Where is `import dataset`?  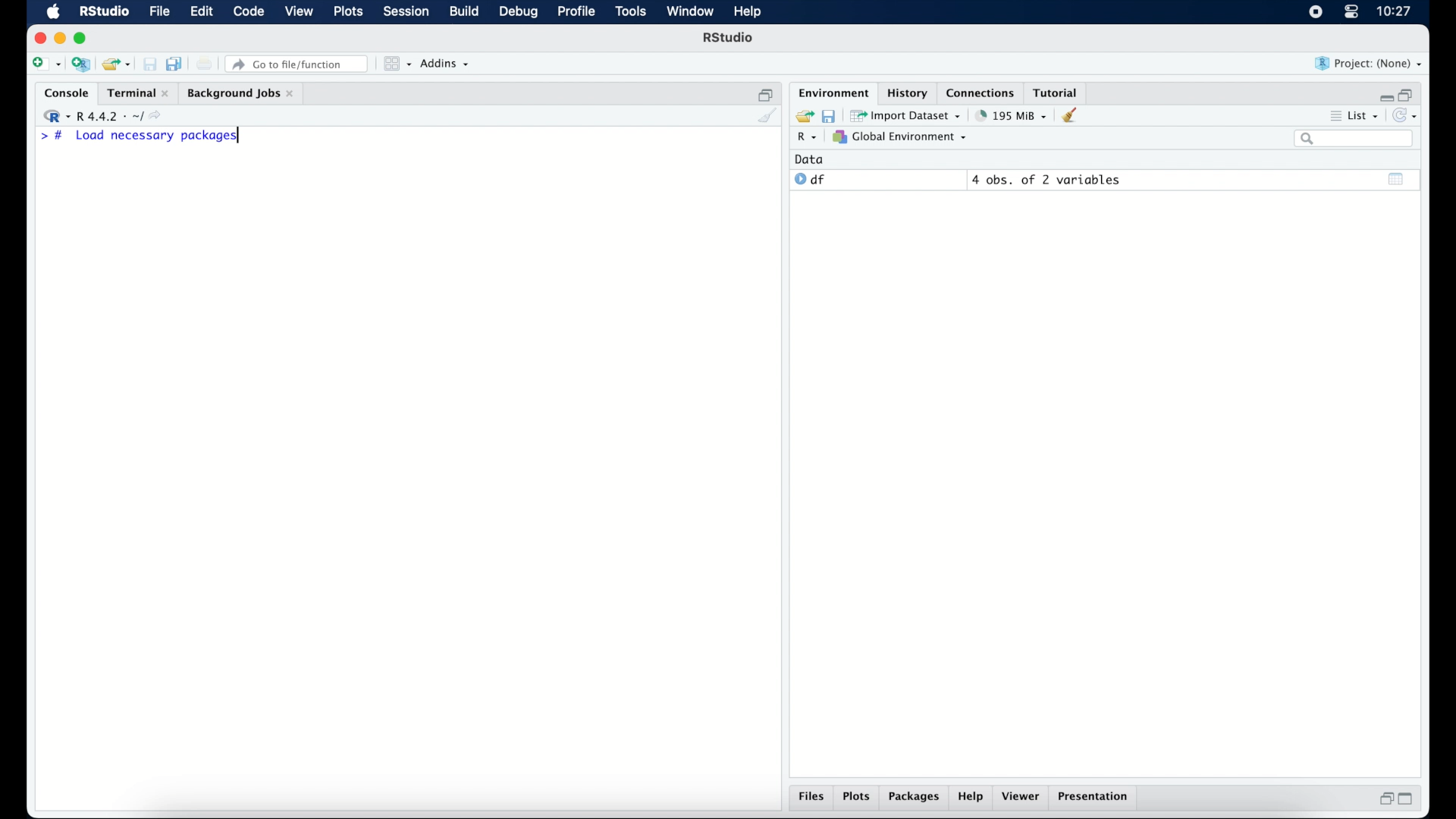
import dataset is located at coordinates (907, 115).